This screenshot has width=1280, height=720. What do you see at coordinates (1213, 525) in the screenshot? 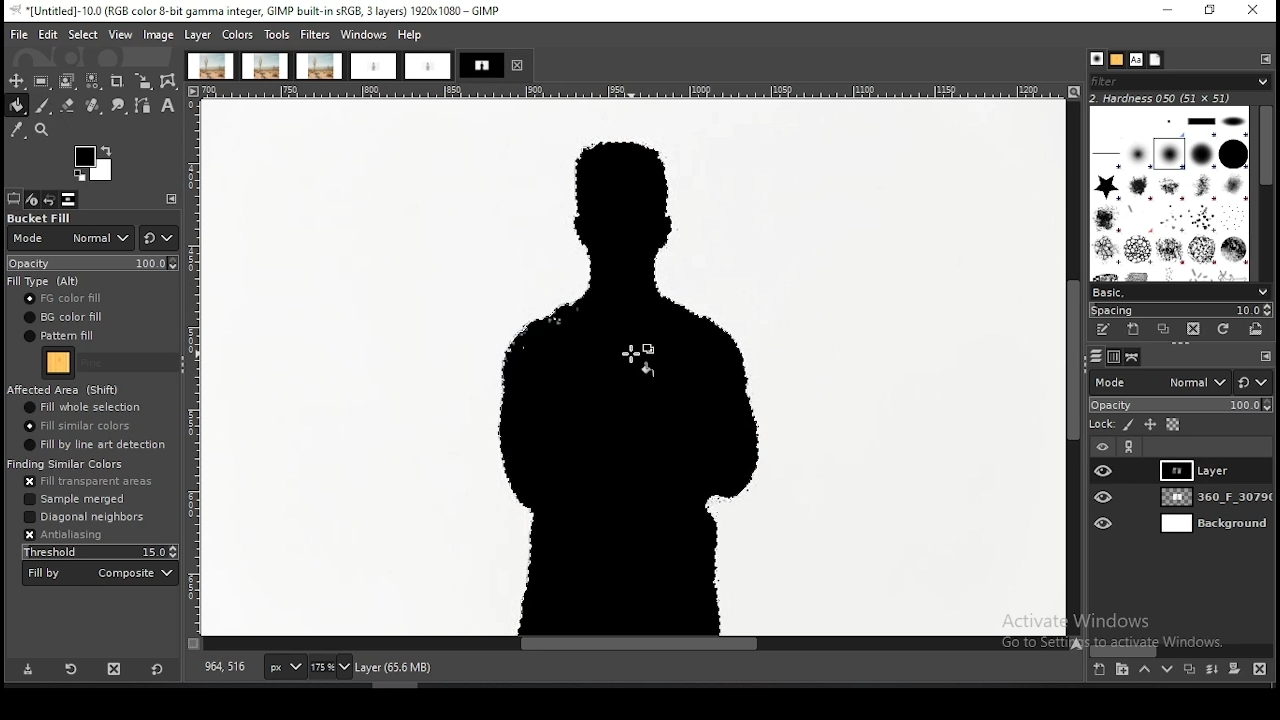
I see `layer` at bounding box center [1213, 525].